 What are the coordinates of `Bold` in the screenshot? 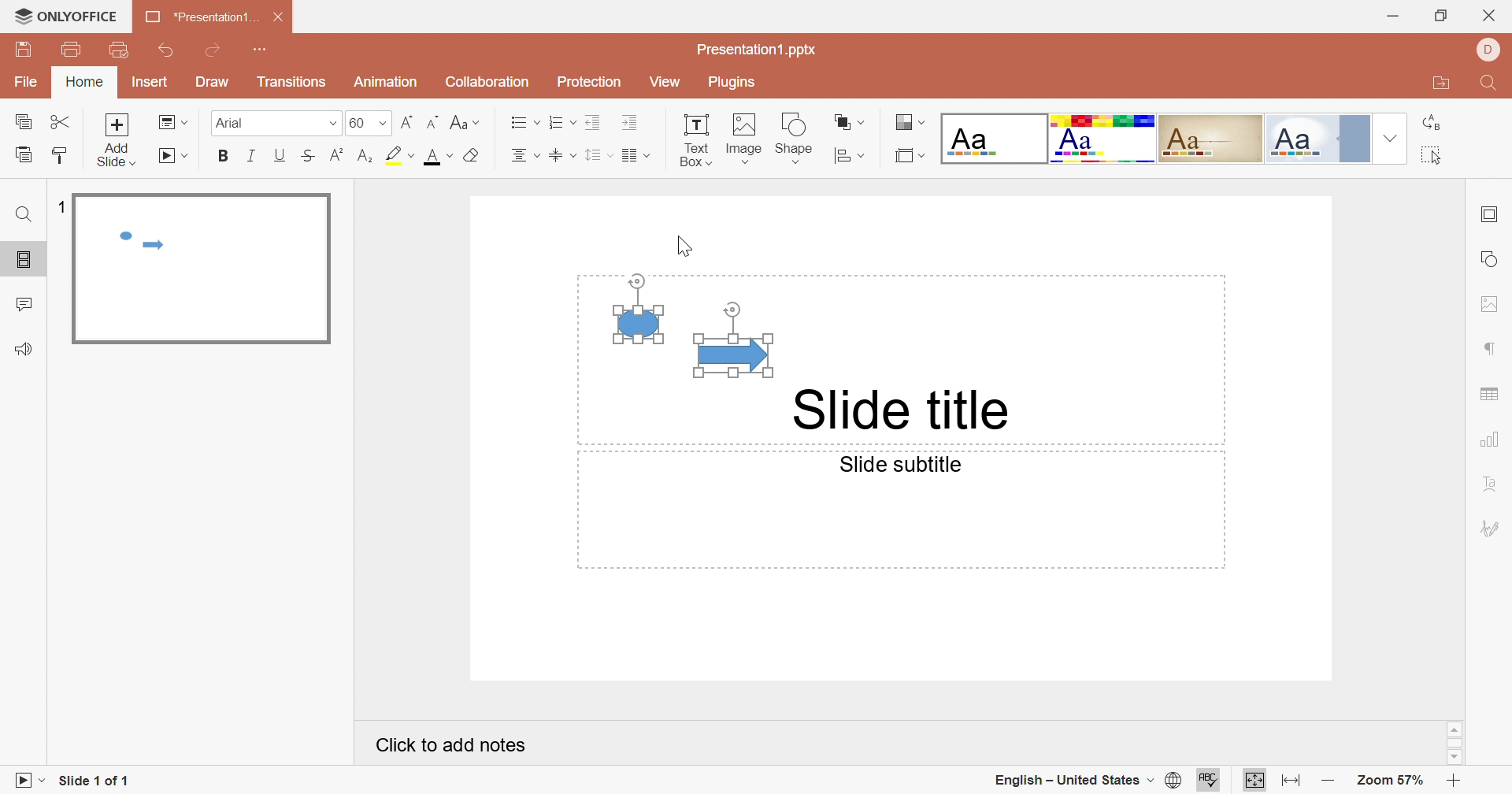 It's located at (220, 157).